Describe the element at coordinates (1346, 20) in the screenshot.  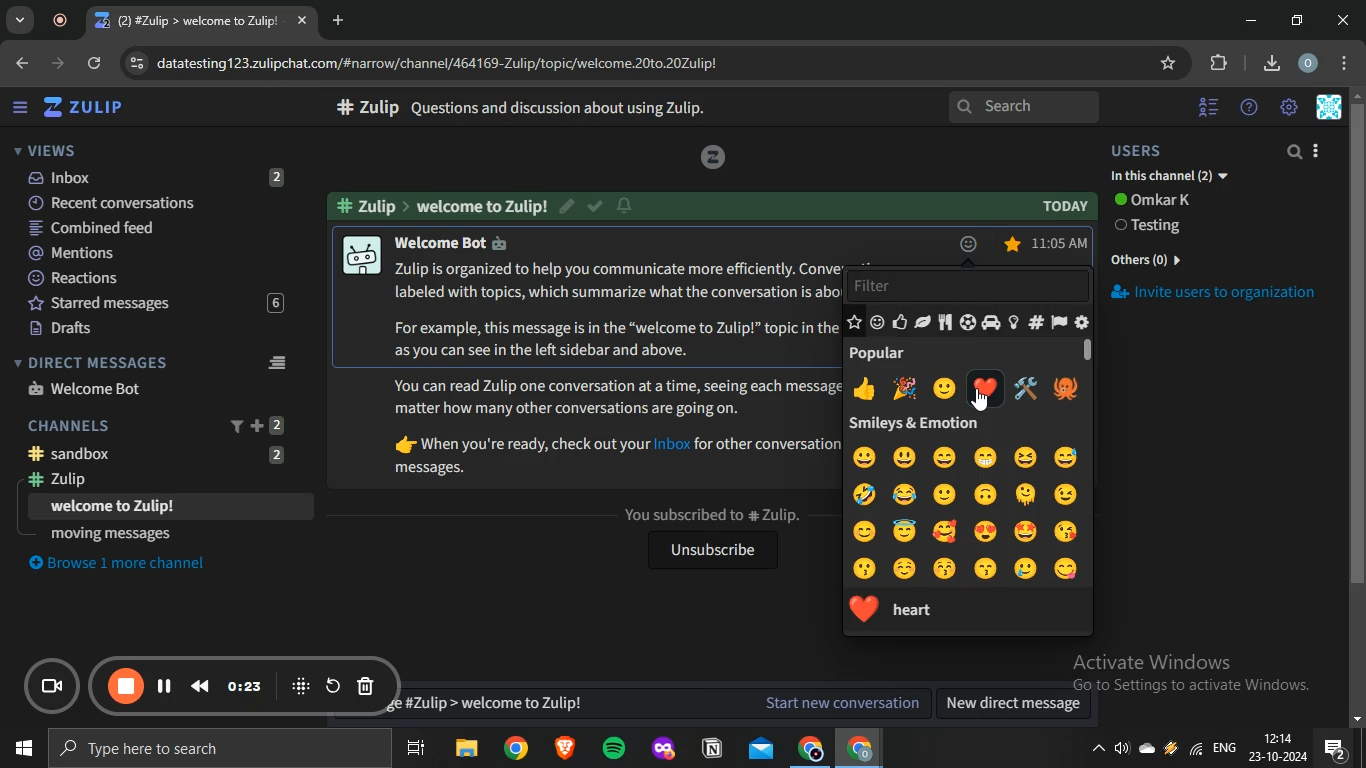
I see `close` at that location.